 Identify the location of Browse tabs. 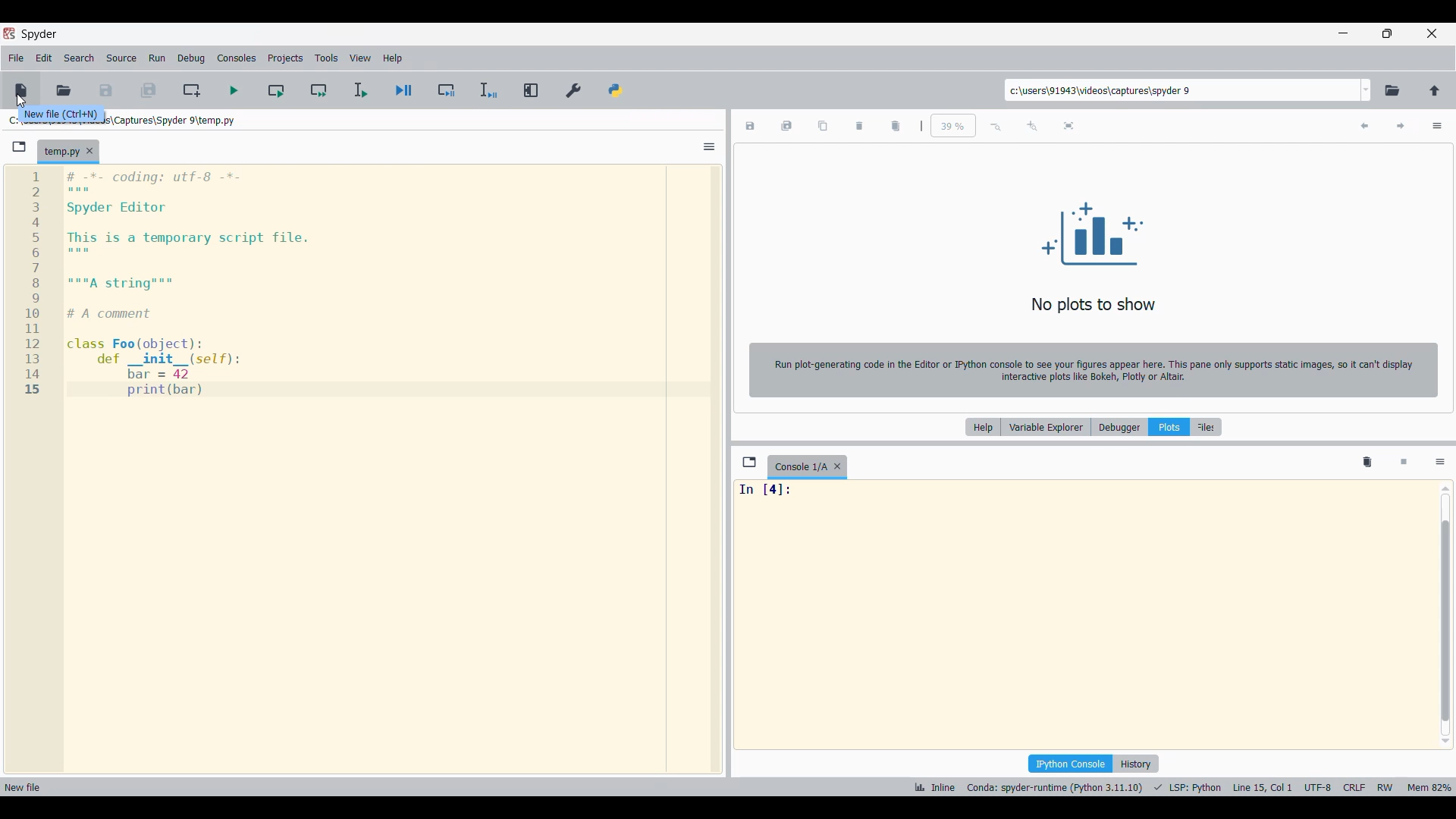
(20, 147).